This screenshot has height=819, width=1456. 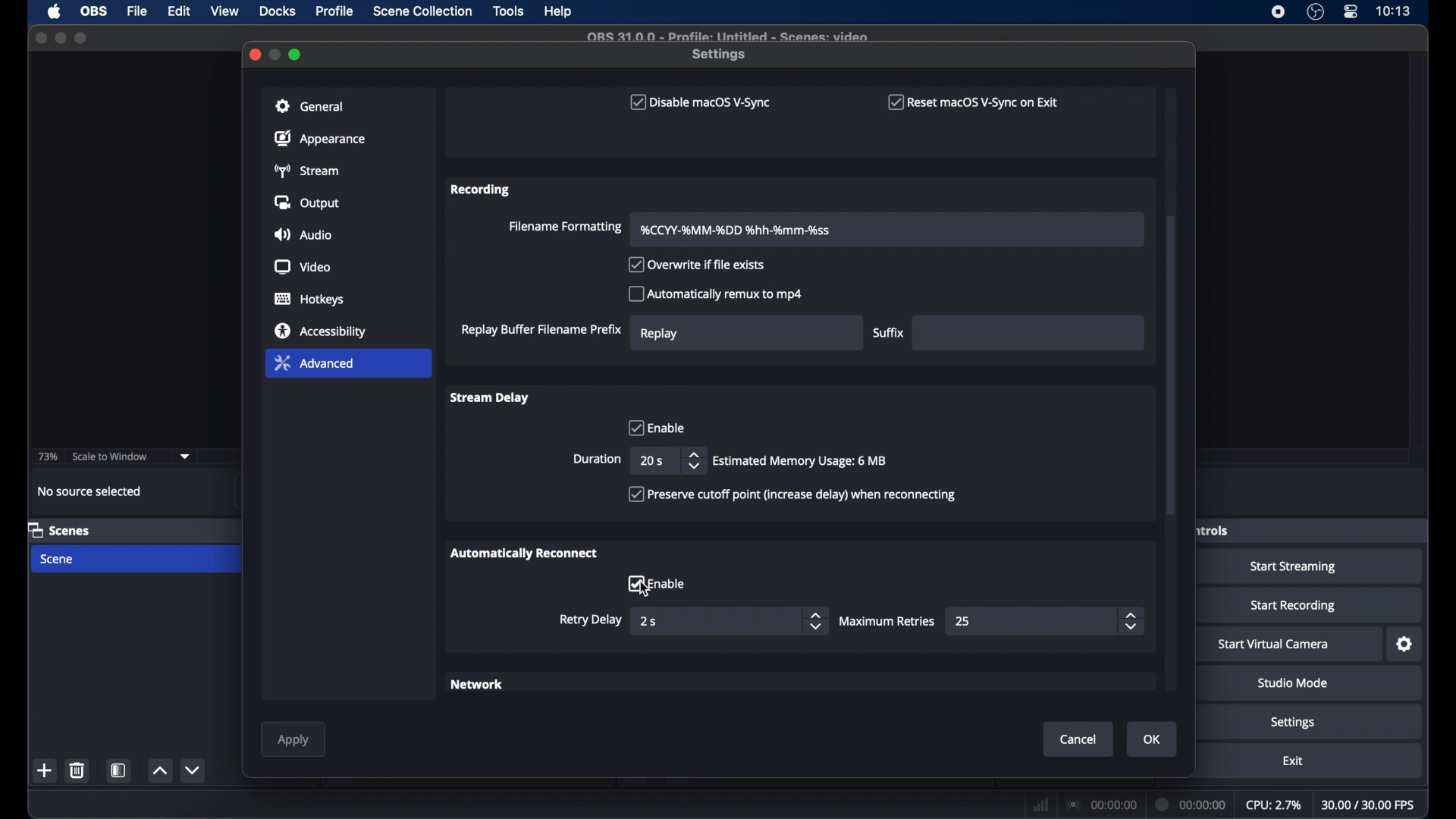 What do you see at coordinates (192, 770) in the screenshot?
I see `decrement` at bounding box center [192, 770].